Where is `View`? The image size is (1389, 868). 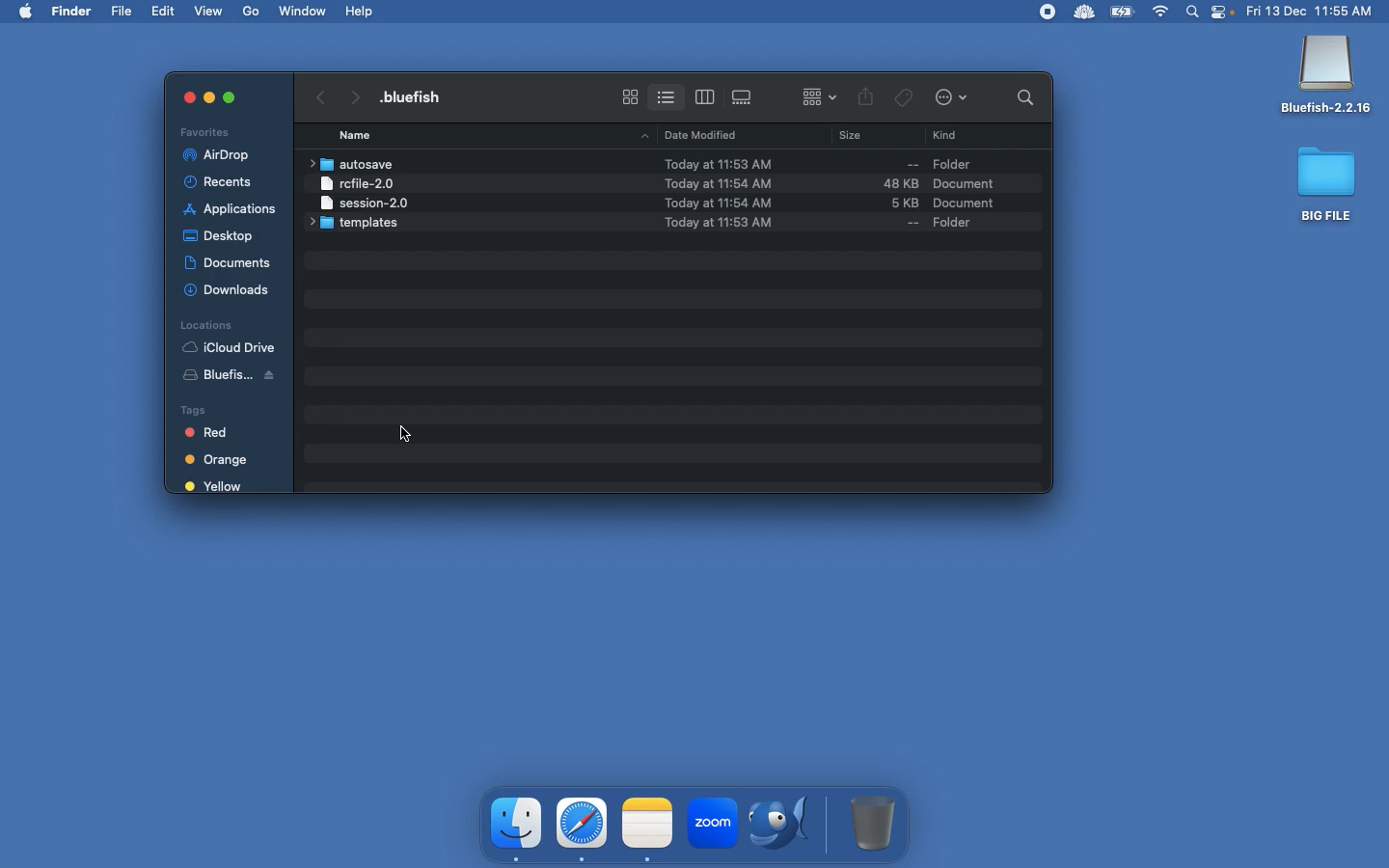 View is located at coordinates (210, 10).